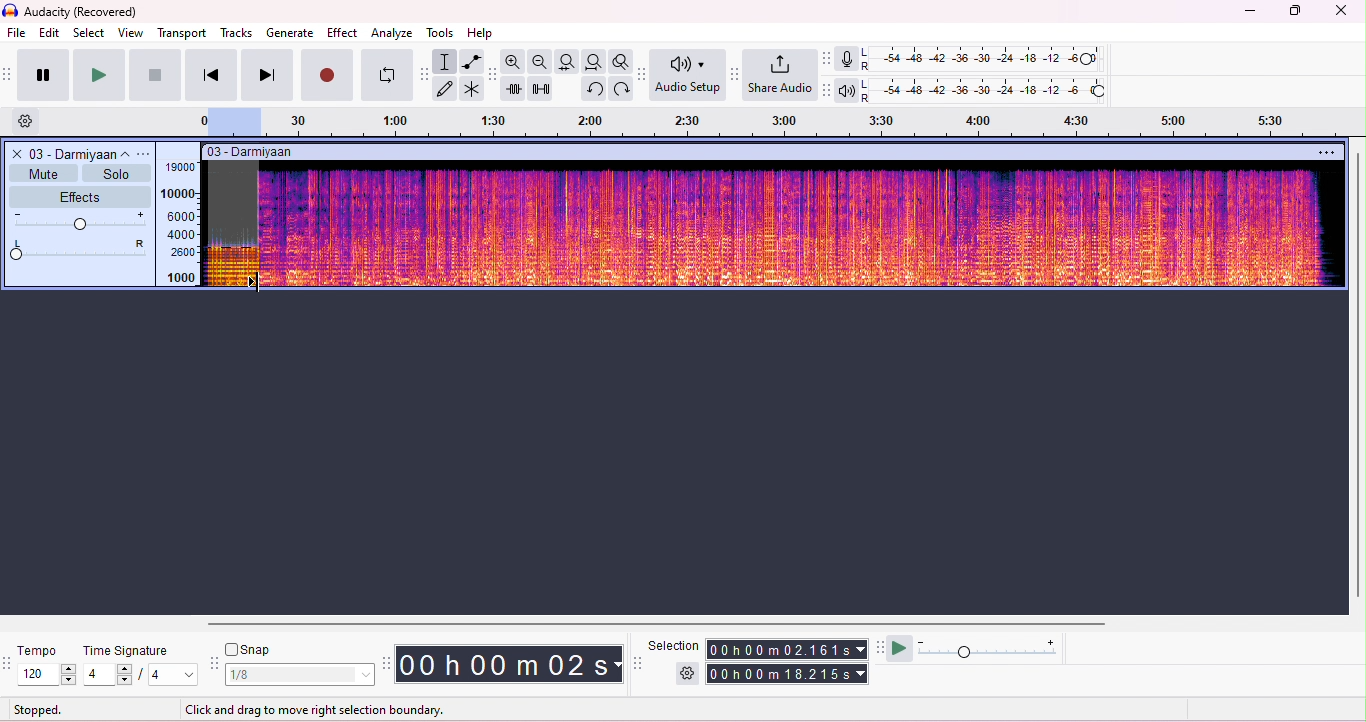 Image resolution: width=1366 pixels, height=722 pixels. What do you see at coordinates (643, 75) in the screenshot?
I see `Audio setup tool bar` at bounding box center [643, 75].